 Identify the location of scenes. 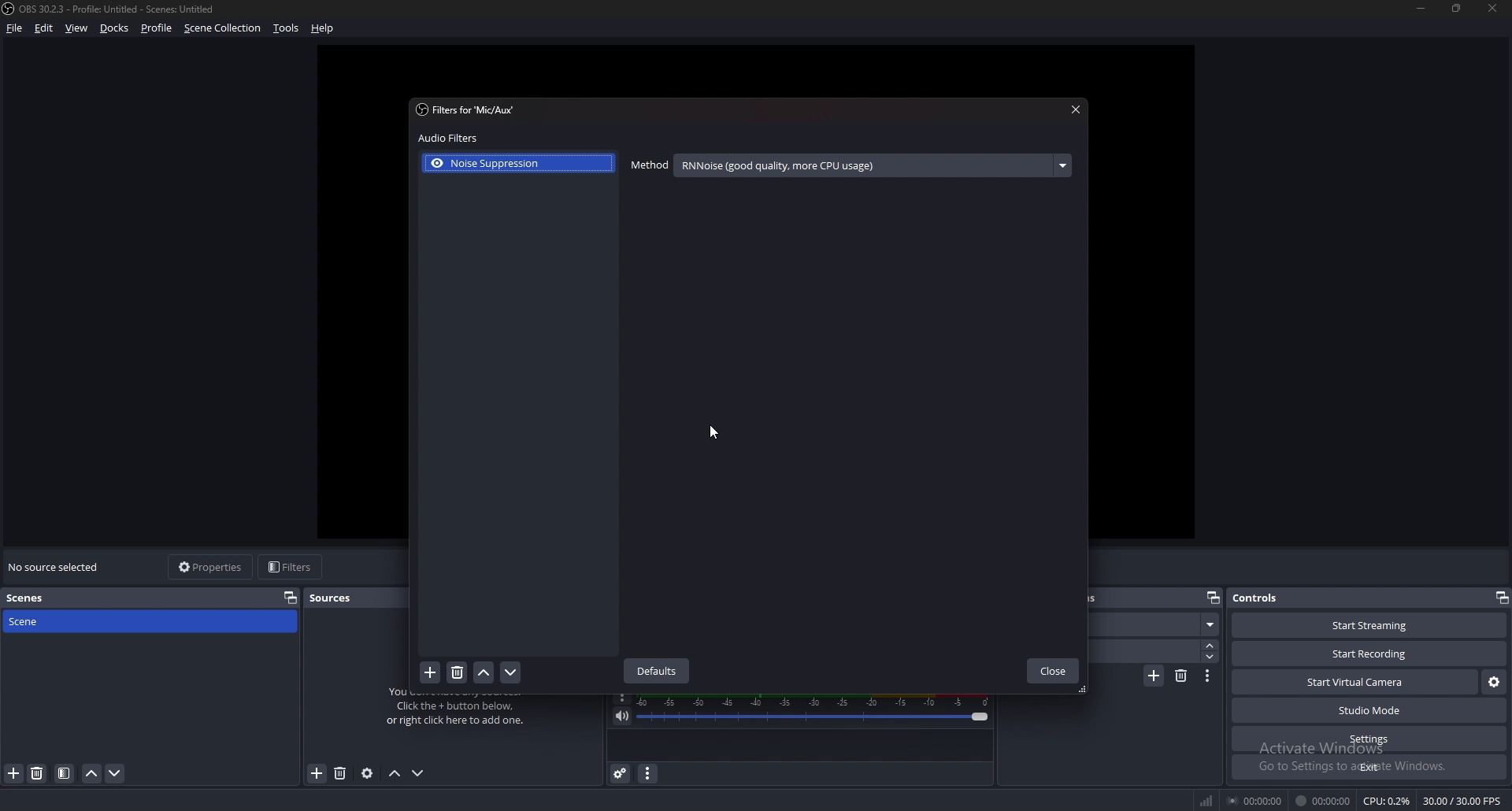
(28, 598).